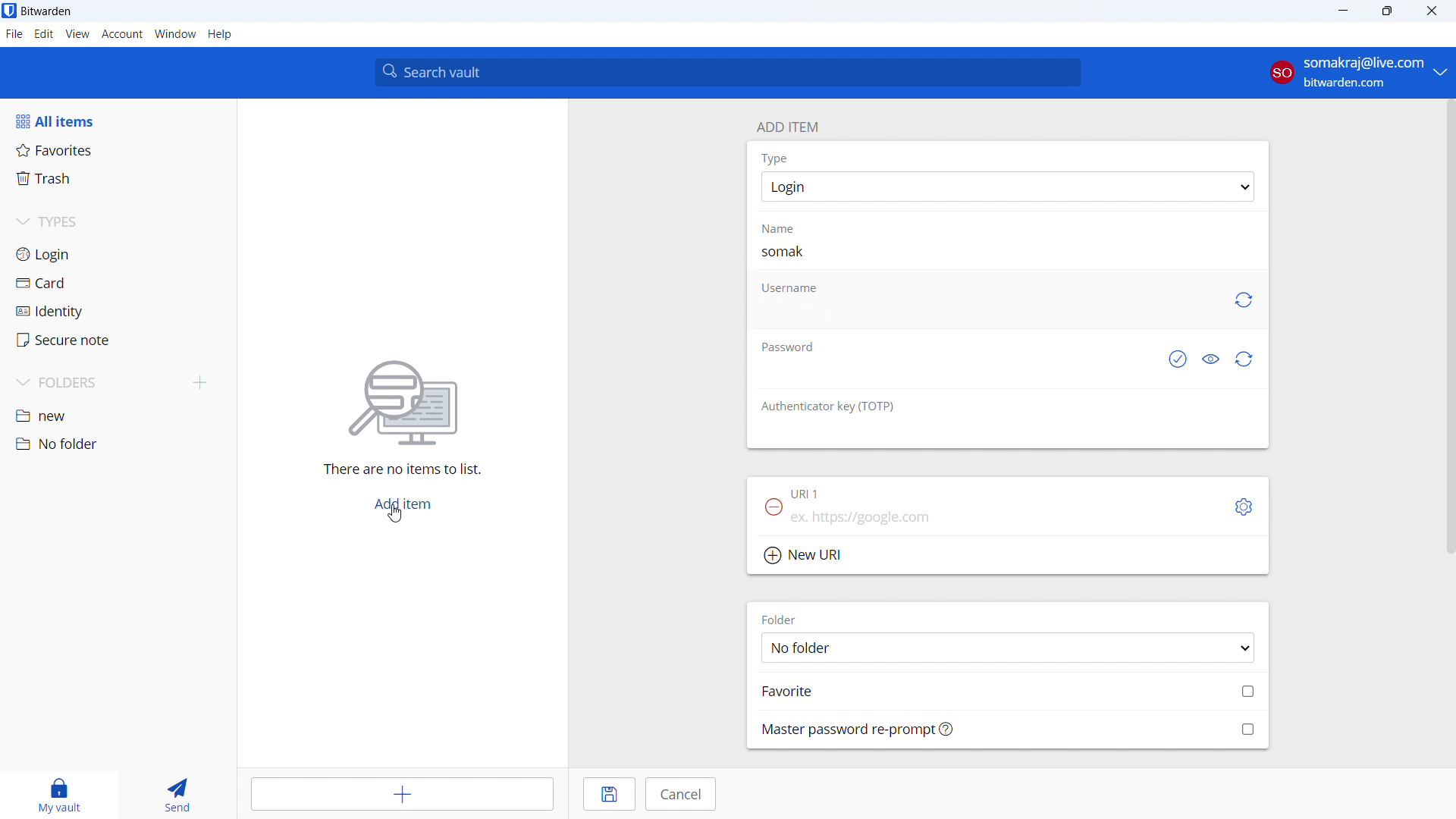 This screenshot has height=819, width=1456. What do you see at coordinates (118, 284) in the screenshot?
I see `card` at bounding box center [118, 284].